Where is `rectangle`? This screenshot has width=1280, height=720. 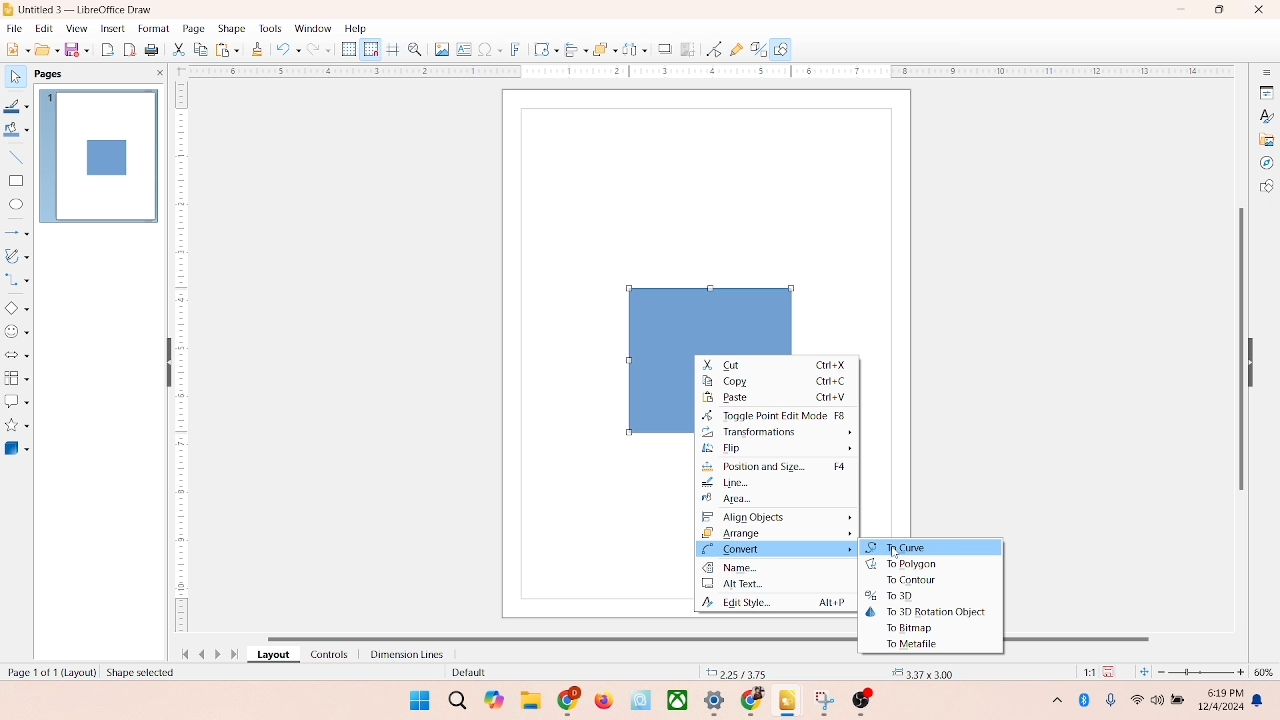 rectangle is located at coordinates (16, 180).